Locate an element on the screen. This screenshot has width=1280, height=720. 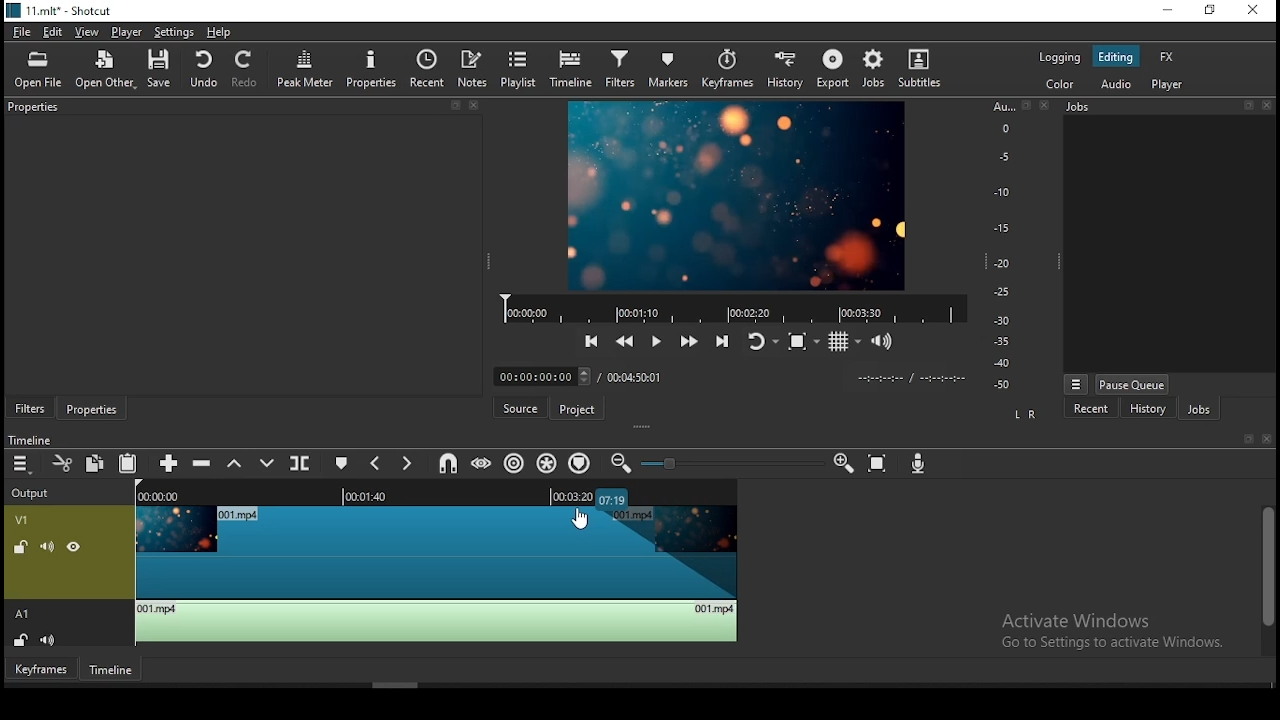
open other is located at coordinates (105, 68).